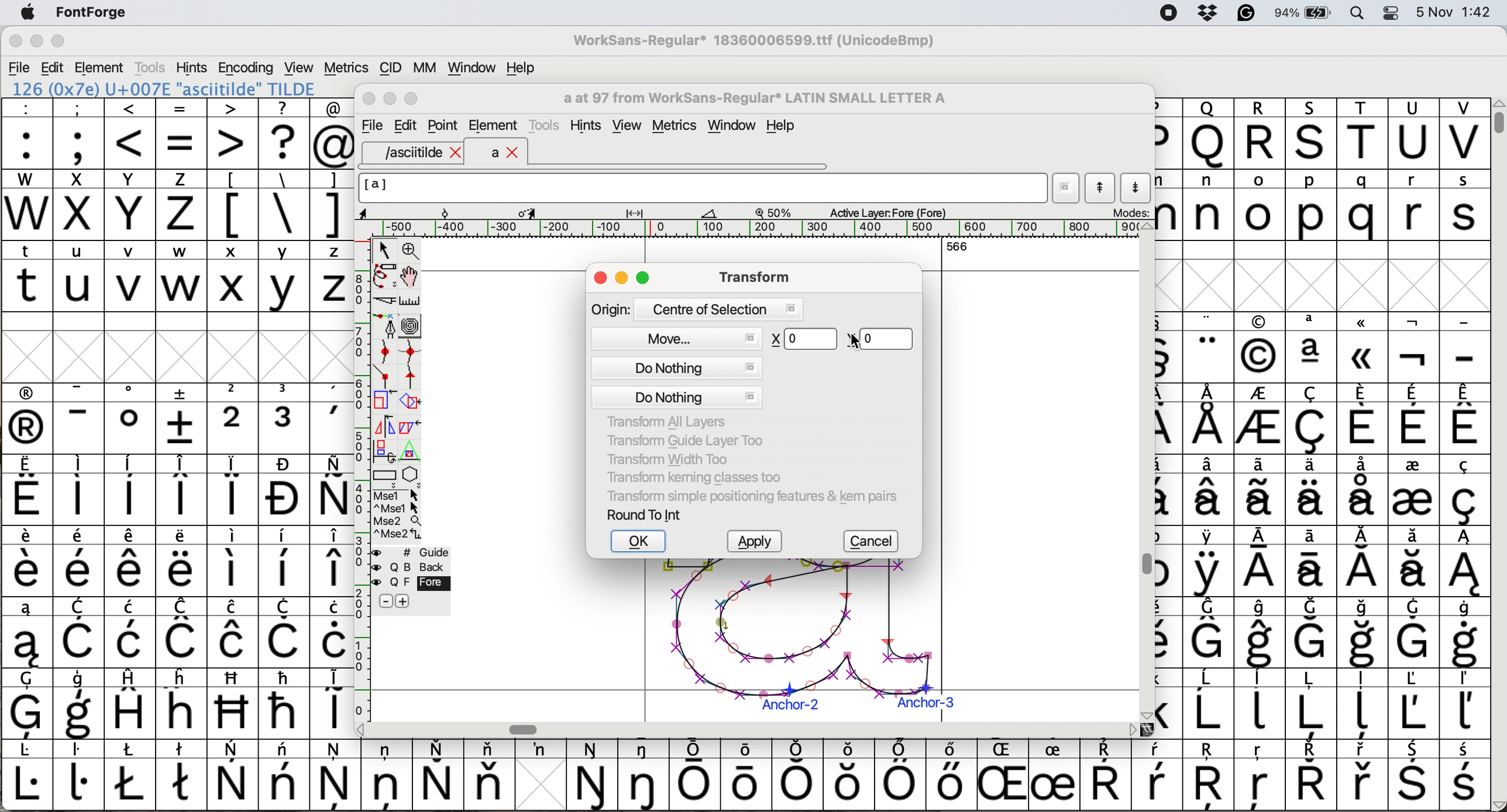 The image size is (1507, 812). What do you see at coordinates (1364, 347) in the screenshot?
I see `` at bounding box center [1364, 347].